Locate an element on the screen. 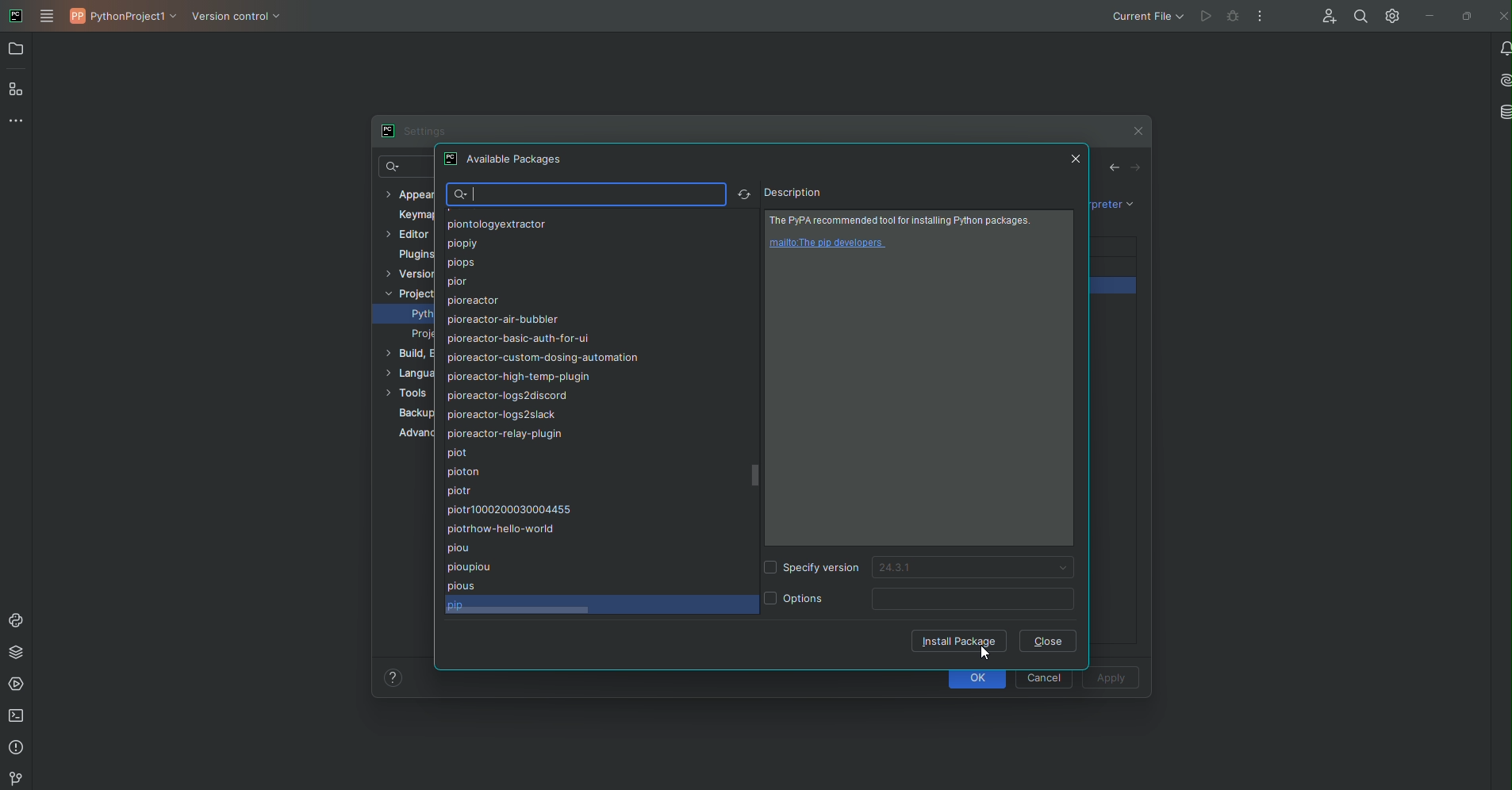 This screenshot has width=1512, height=790. Problems is located at coordinates (17, 749).